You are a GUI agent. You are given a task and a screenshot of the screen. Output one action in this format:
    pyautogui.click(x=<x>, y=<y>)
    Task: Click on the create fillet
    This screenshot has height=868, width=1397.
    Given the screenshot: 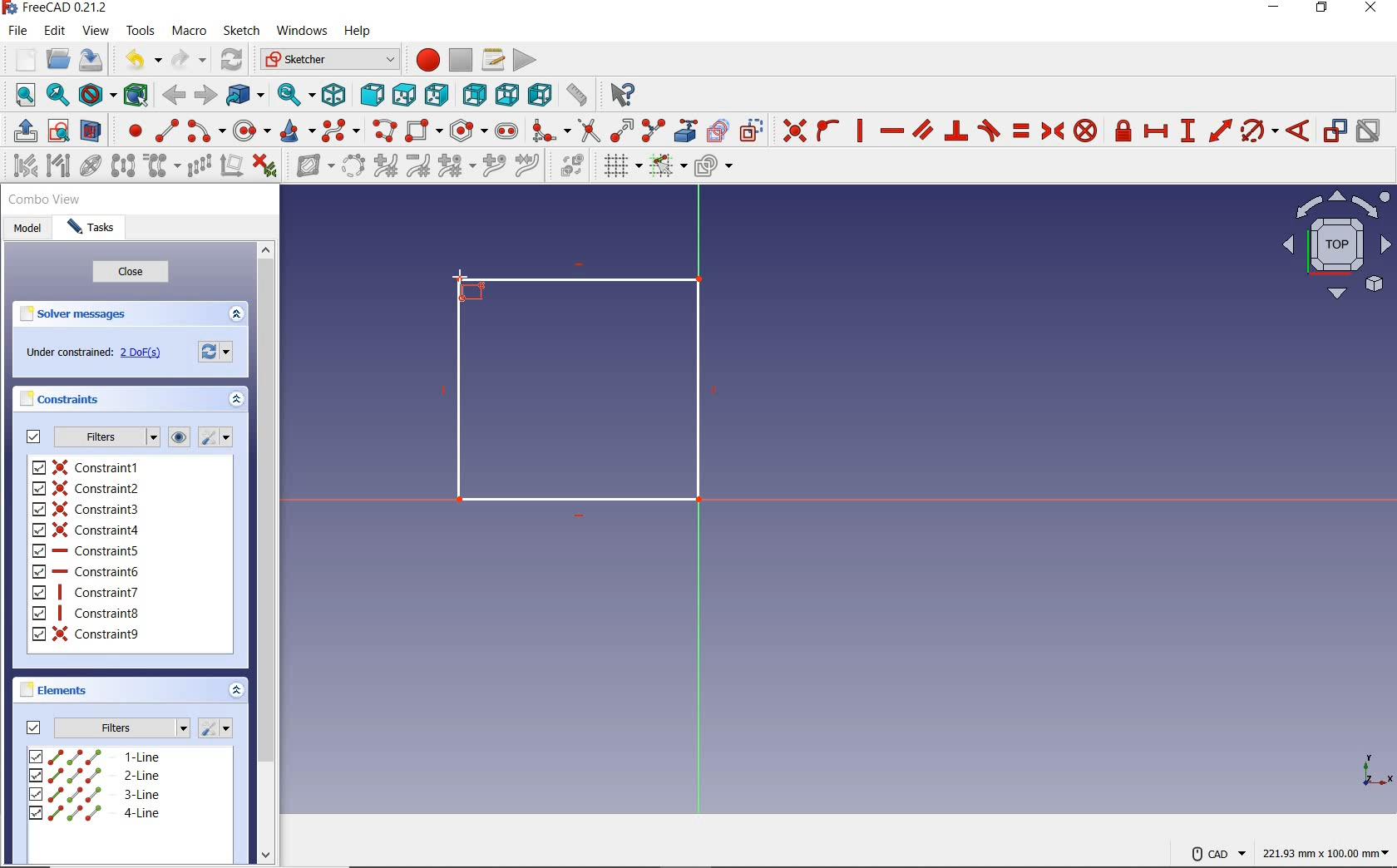 What is the action you would take?
    pyautogui.click(x=546, y=131)
    